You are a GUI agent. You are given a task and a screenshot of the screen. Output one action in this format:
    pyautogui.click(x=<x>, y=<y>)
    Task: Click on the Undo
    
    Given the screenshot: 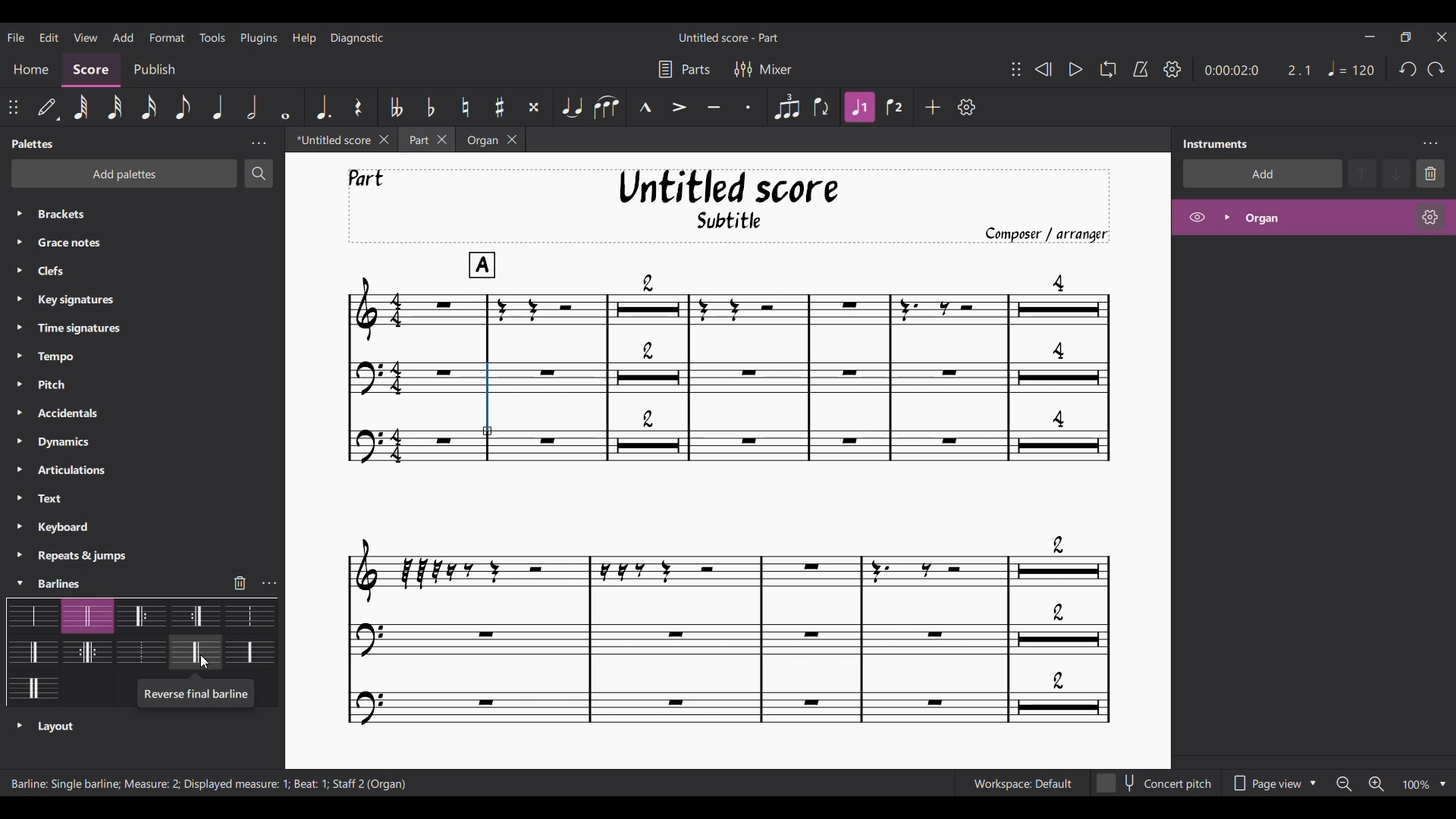 What is the action you would take?
    pyautogui.click(x=1407, y=69)
    